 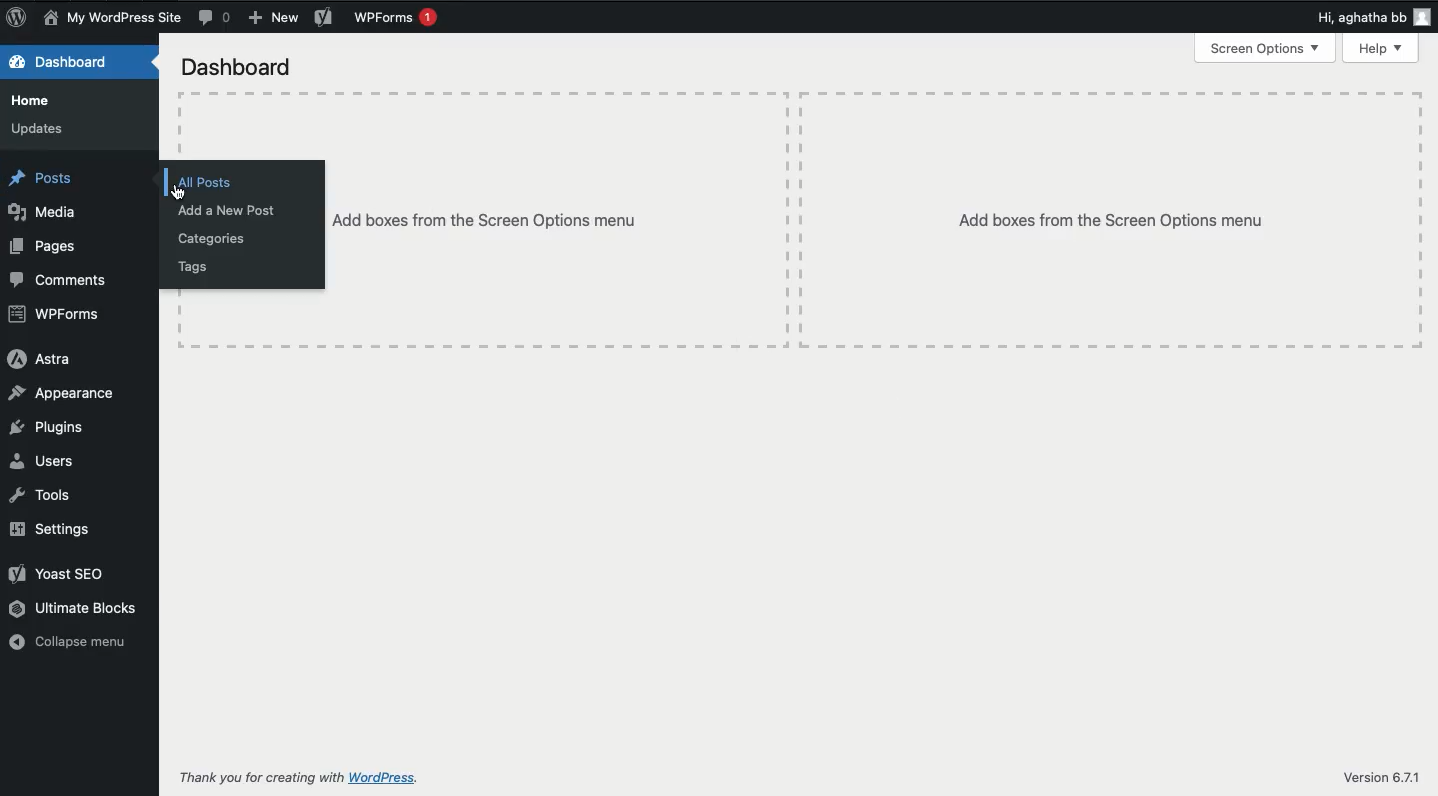 What do you see at coordinates (61, 392) in the screenshot?
I see `Appearance` at bounding box center [61, 392].